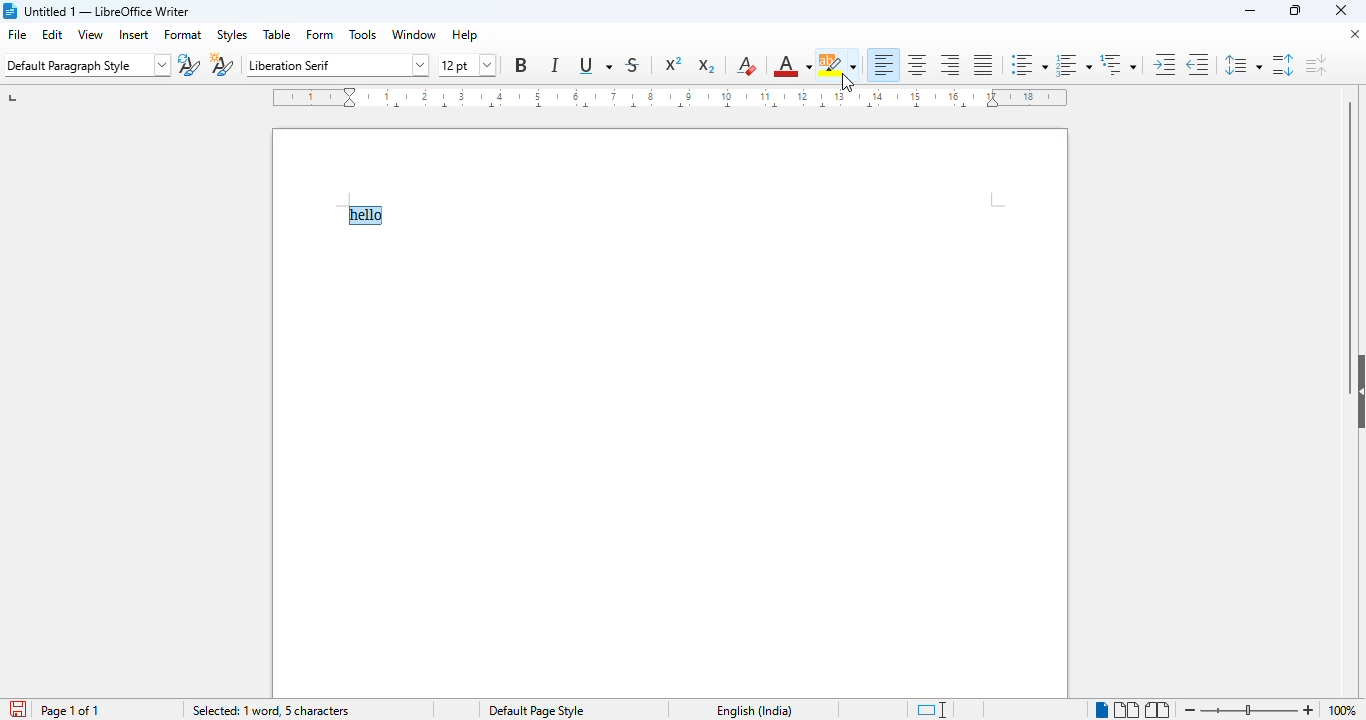 This screenshot has width=1366, height=720. What do you see at coordinates (1125, 709) in the screenshot?
I see `multi-page view` at bounding box center [1125, 709].